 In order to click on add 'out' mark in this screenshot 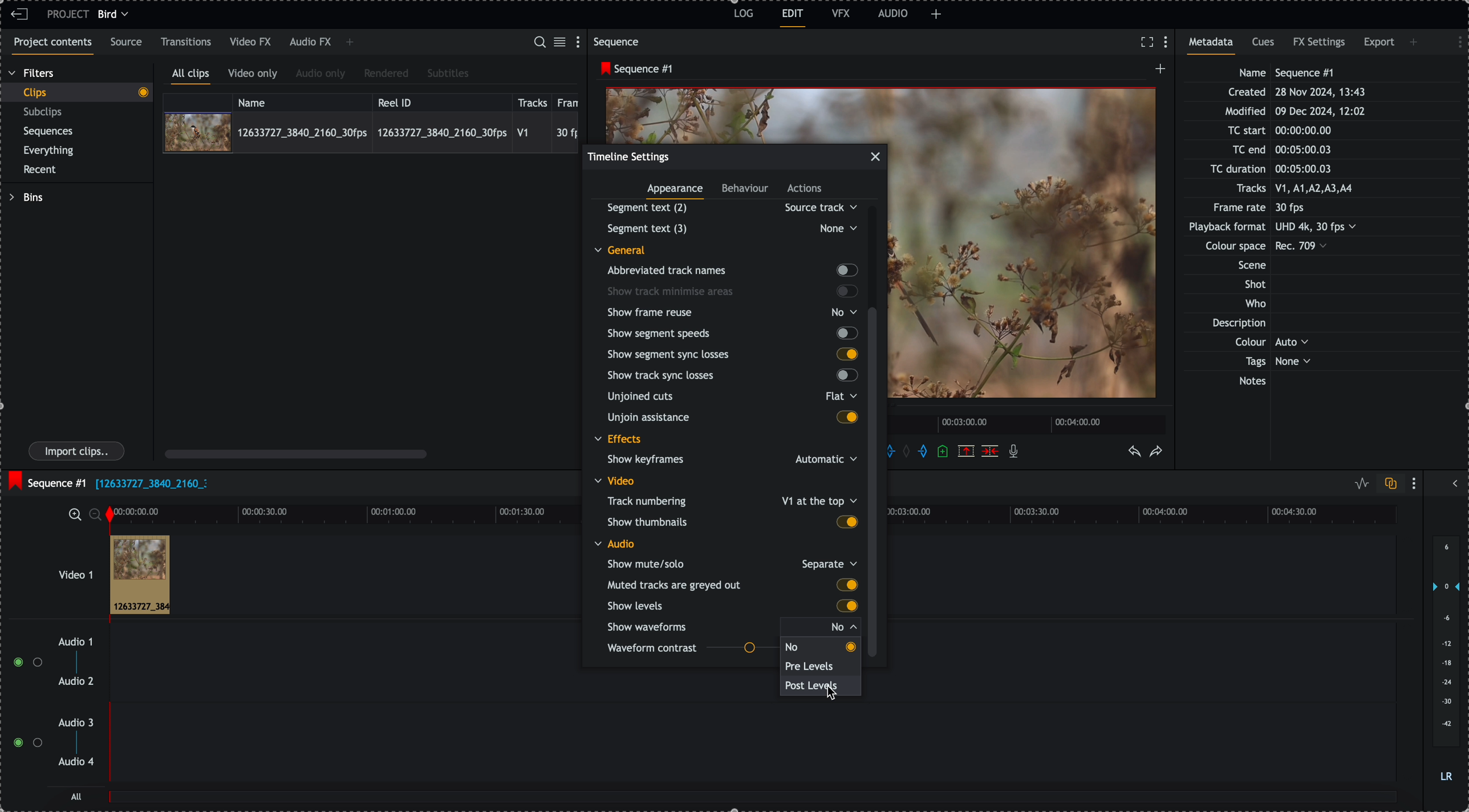, I will do `click(922, 452)`.